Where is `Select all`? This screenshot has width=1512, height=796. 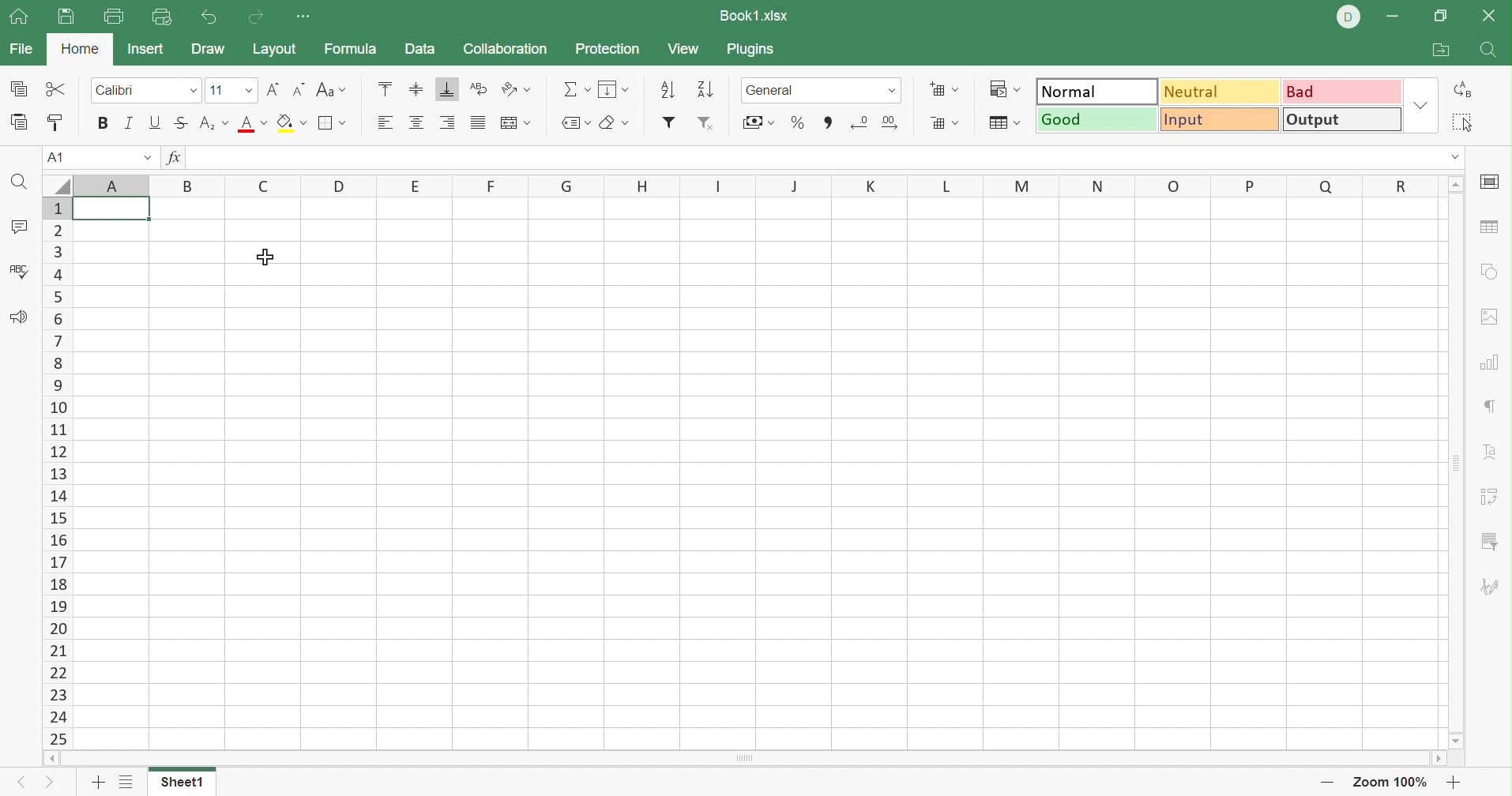
Select all is located at coordinates (1465, 123).